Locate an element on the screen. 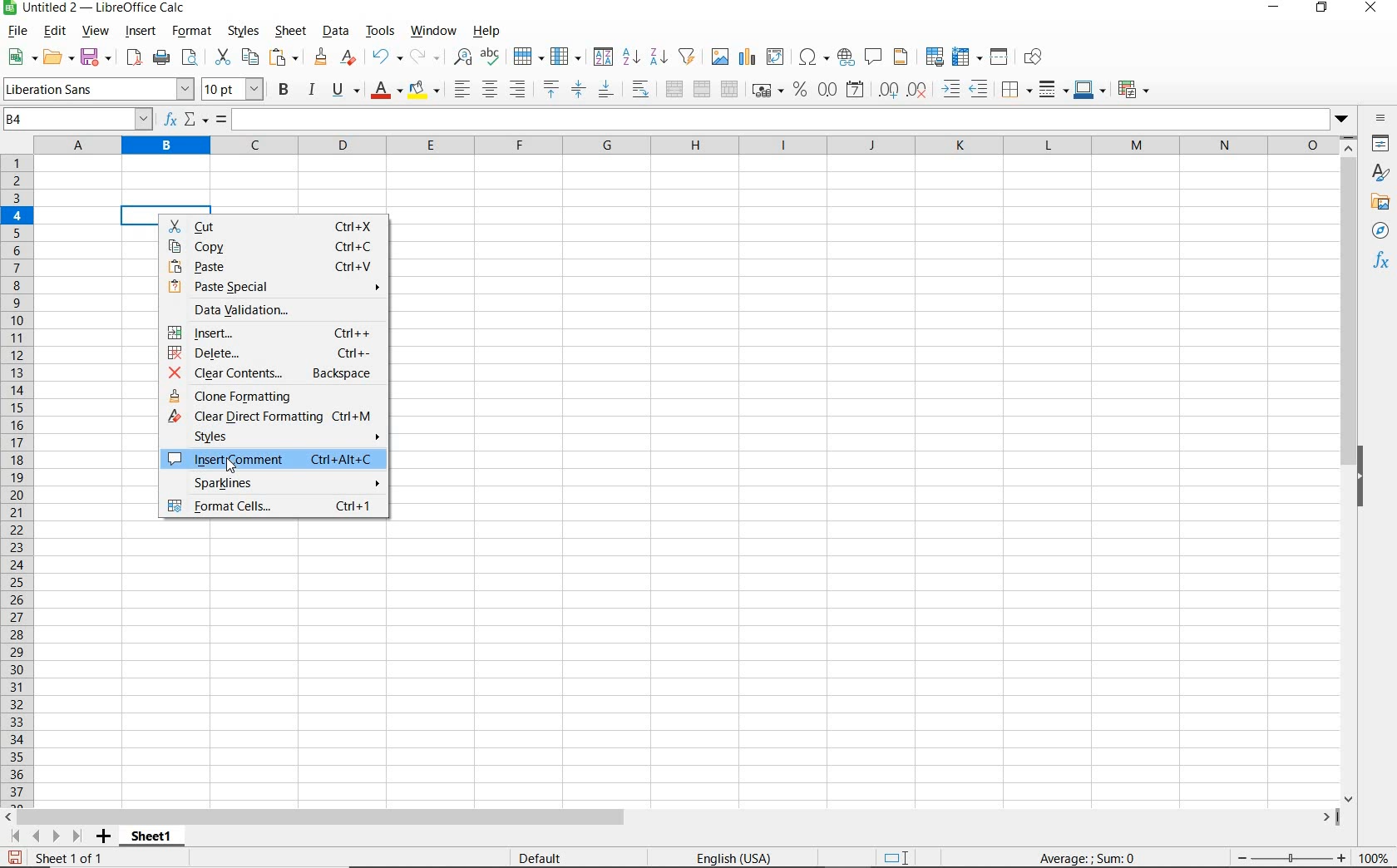  styles is located at coordinates (276, 438).